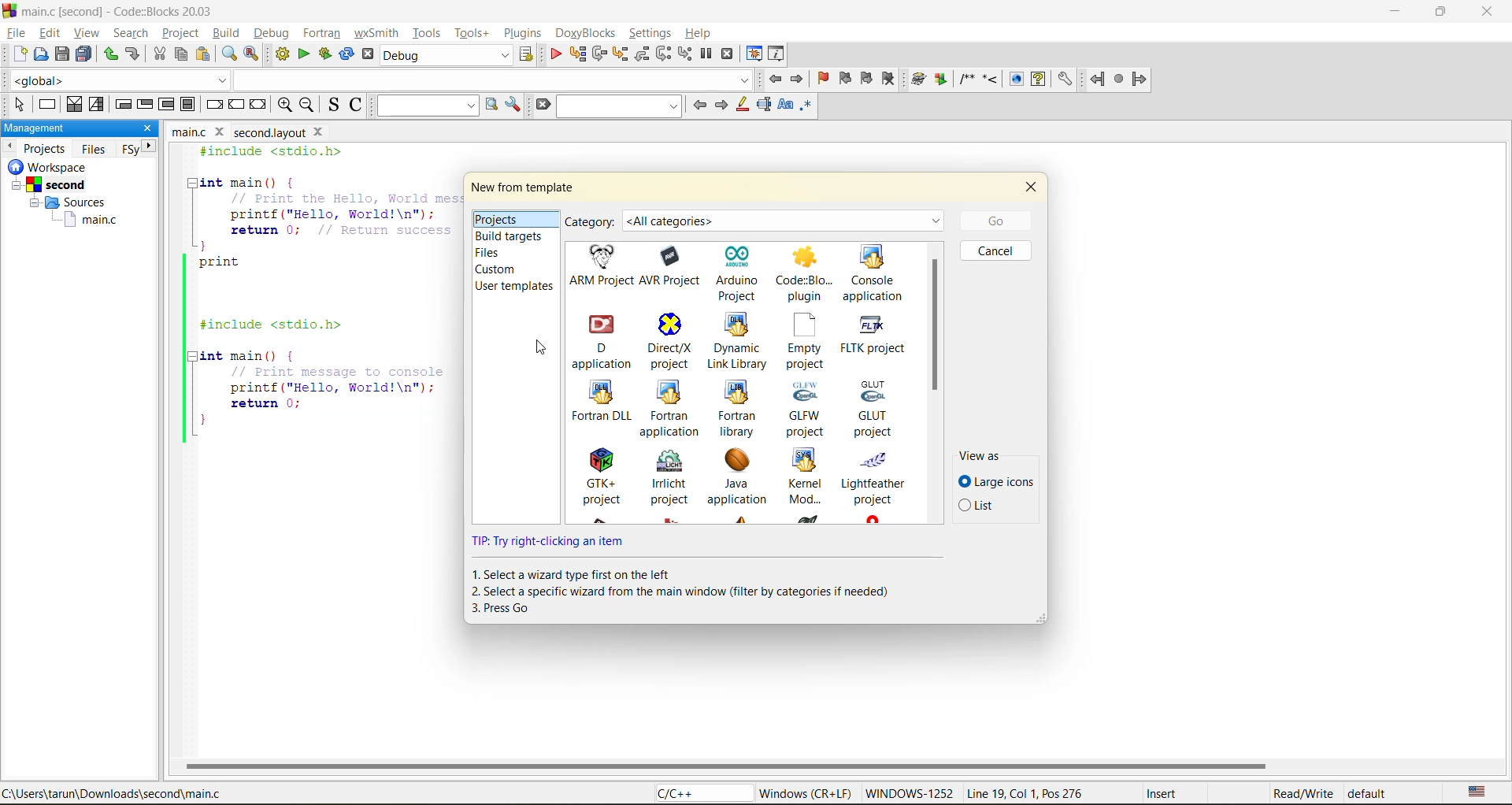 The height and width of the screenshot is (805, 1512). I want to click on empty project, so click(807, 342).